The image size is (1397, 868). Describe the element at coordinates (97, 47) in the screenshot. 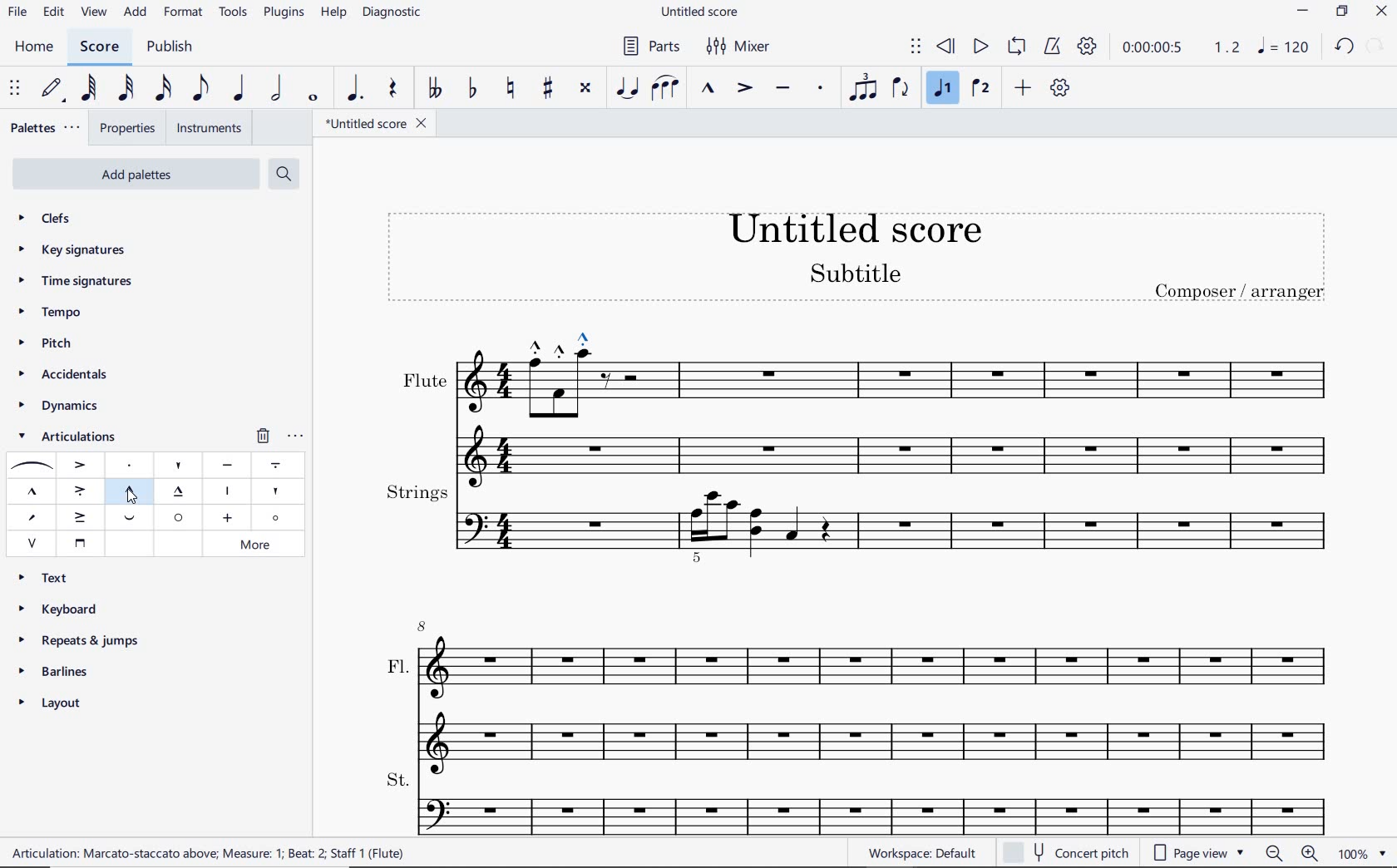

I see `score` at that location.